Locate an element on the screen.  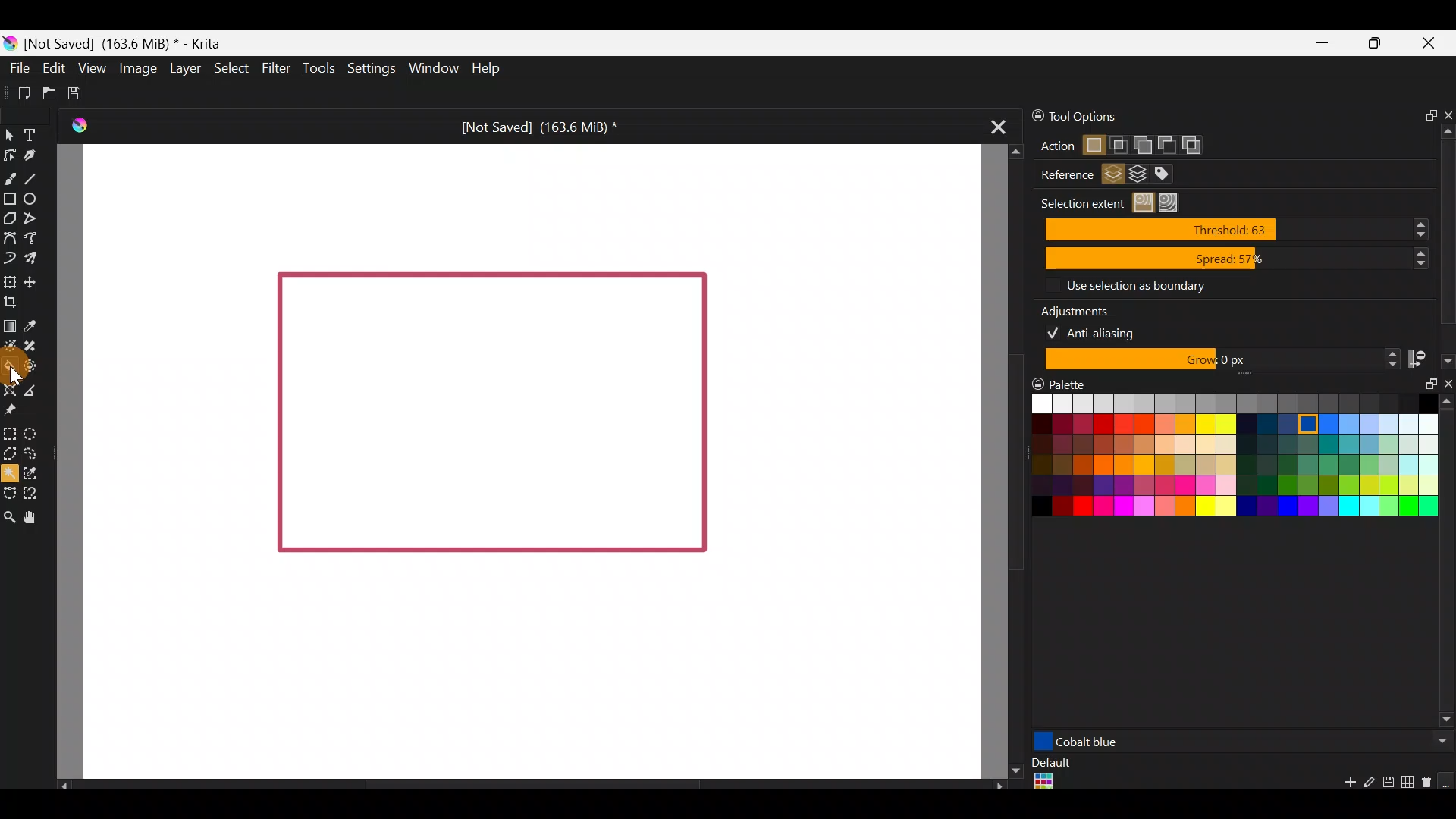
Rectangular selection tool is located at coordinates (13, 434).